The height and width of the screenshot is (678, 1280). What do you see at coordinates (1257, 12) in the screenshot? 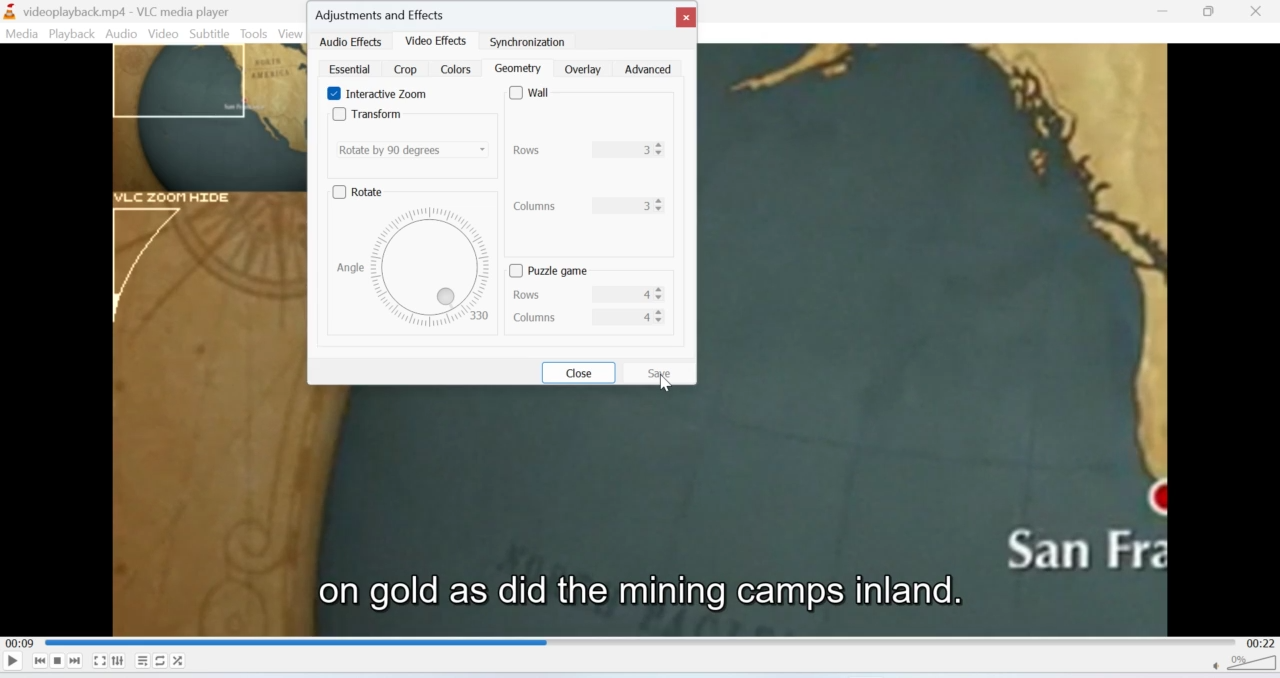
I see `Close` at bounding box center [1257, 12].